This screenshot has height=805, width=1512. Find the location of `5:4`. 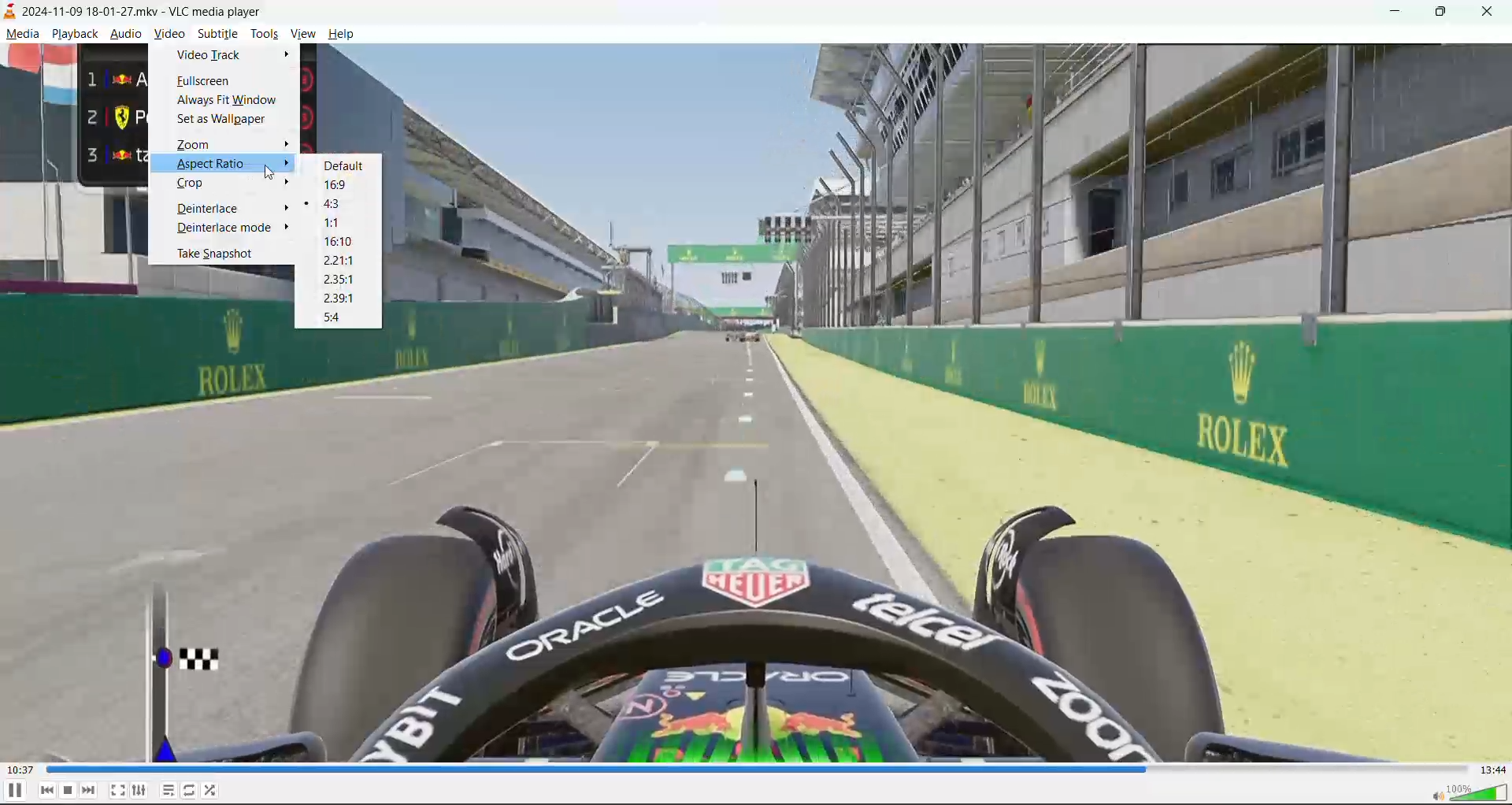

5:4 is located at coordinates (337, 317).